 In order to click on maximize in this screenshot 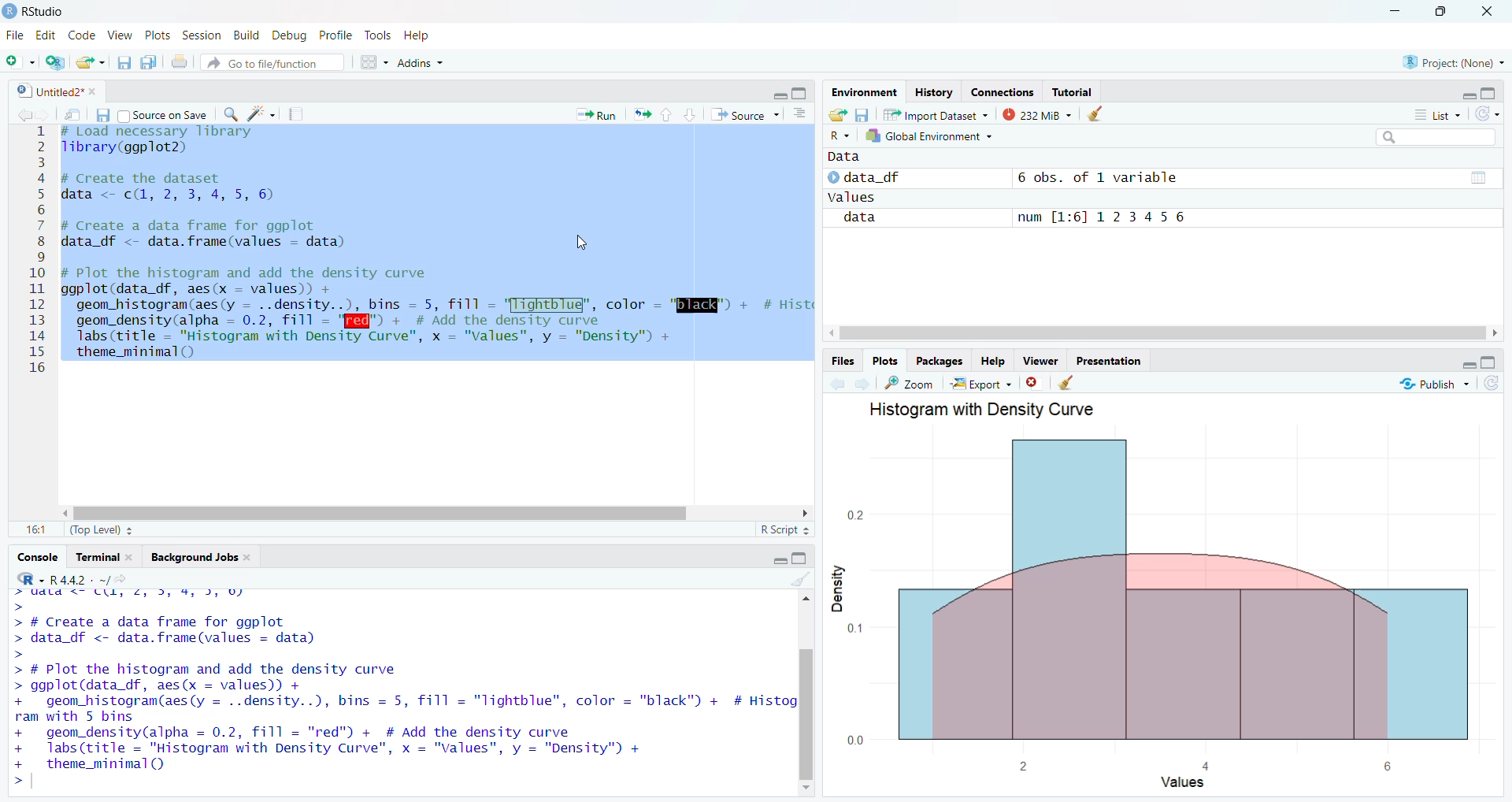, I will do `click(1490, 92)`.